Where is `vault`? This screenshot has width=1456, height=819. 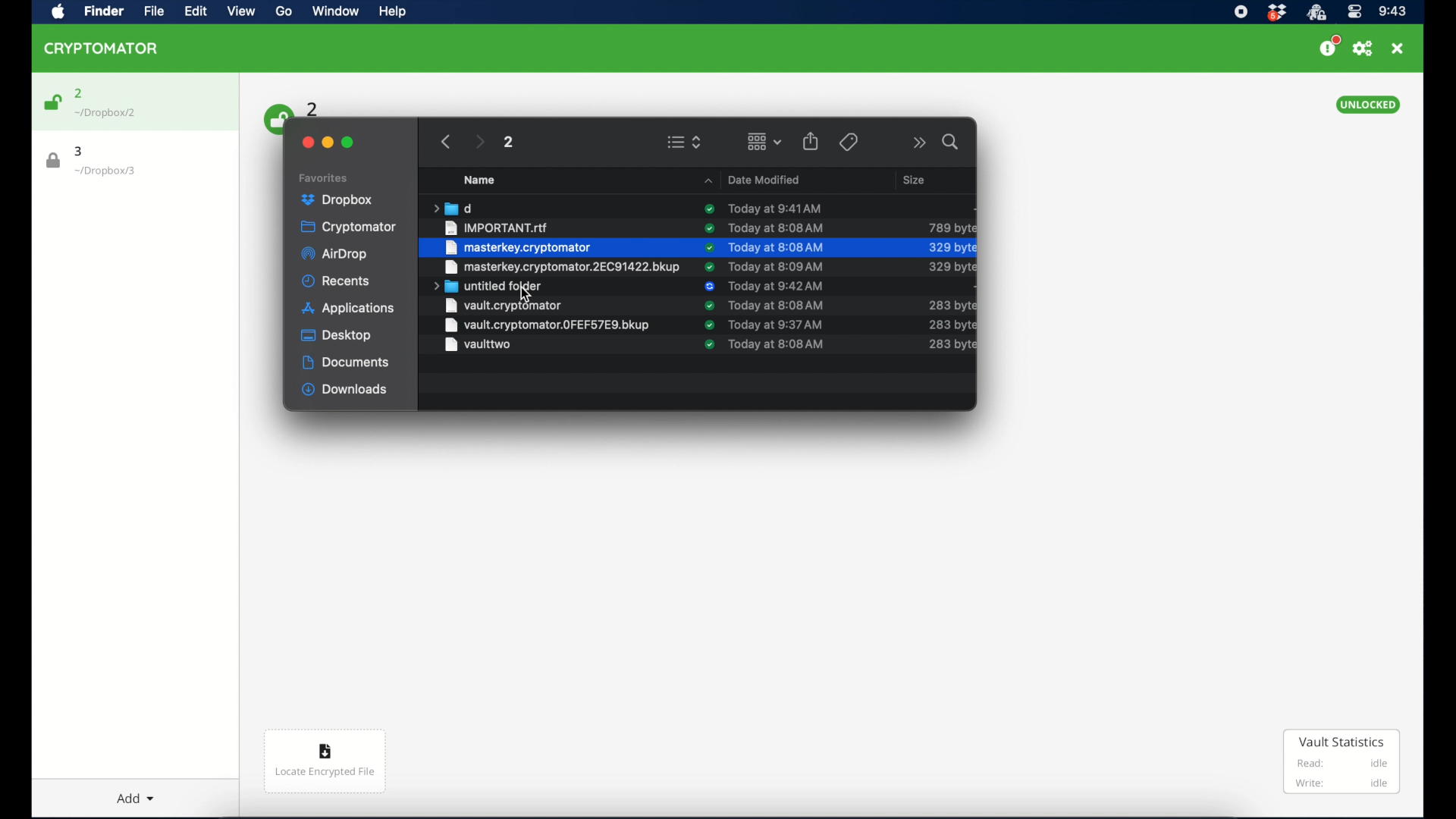
vault is located at coordinates (548, 306).